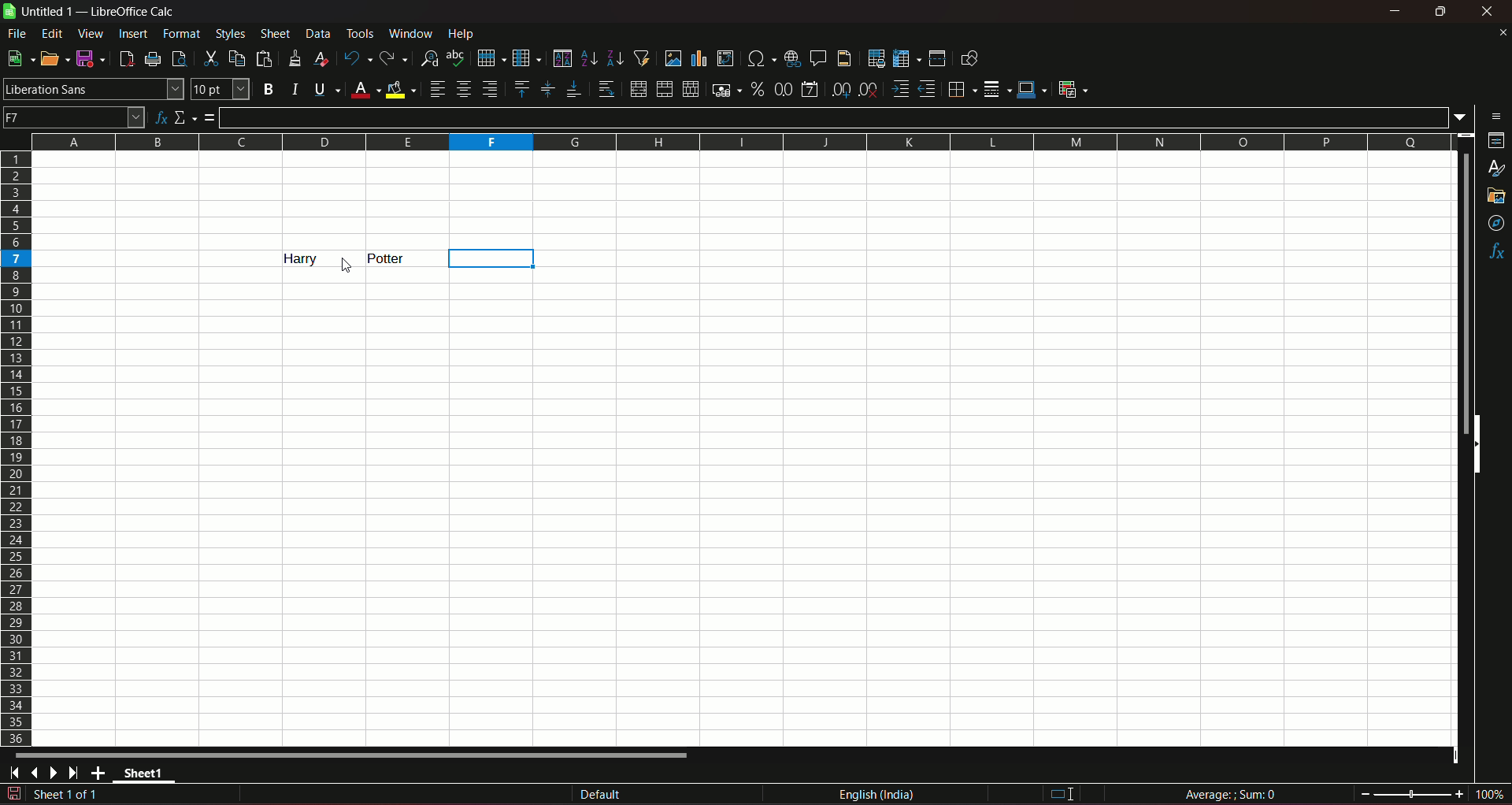 This screenshot has width=1512, height=805. Describe the element at coordinates (1063, 795) in the screenshot. I see `I beam cursor` at that location.